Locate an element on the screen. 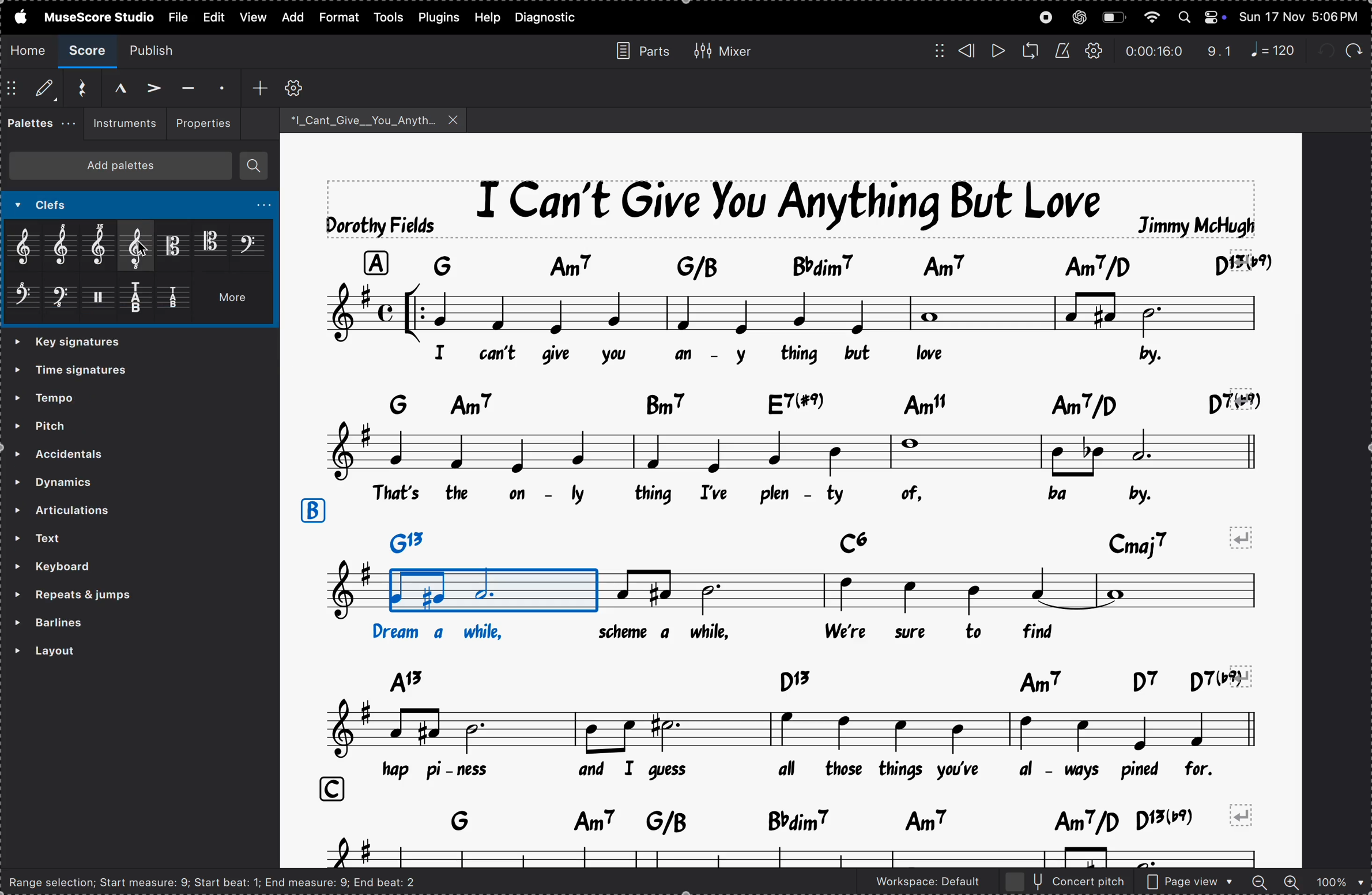 The image size is (1372, 895). worspace is located at coordinates (917, 884).